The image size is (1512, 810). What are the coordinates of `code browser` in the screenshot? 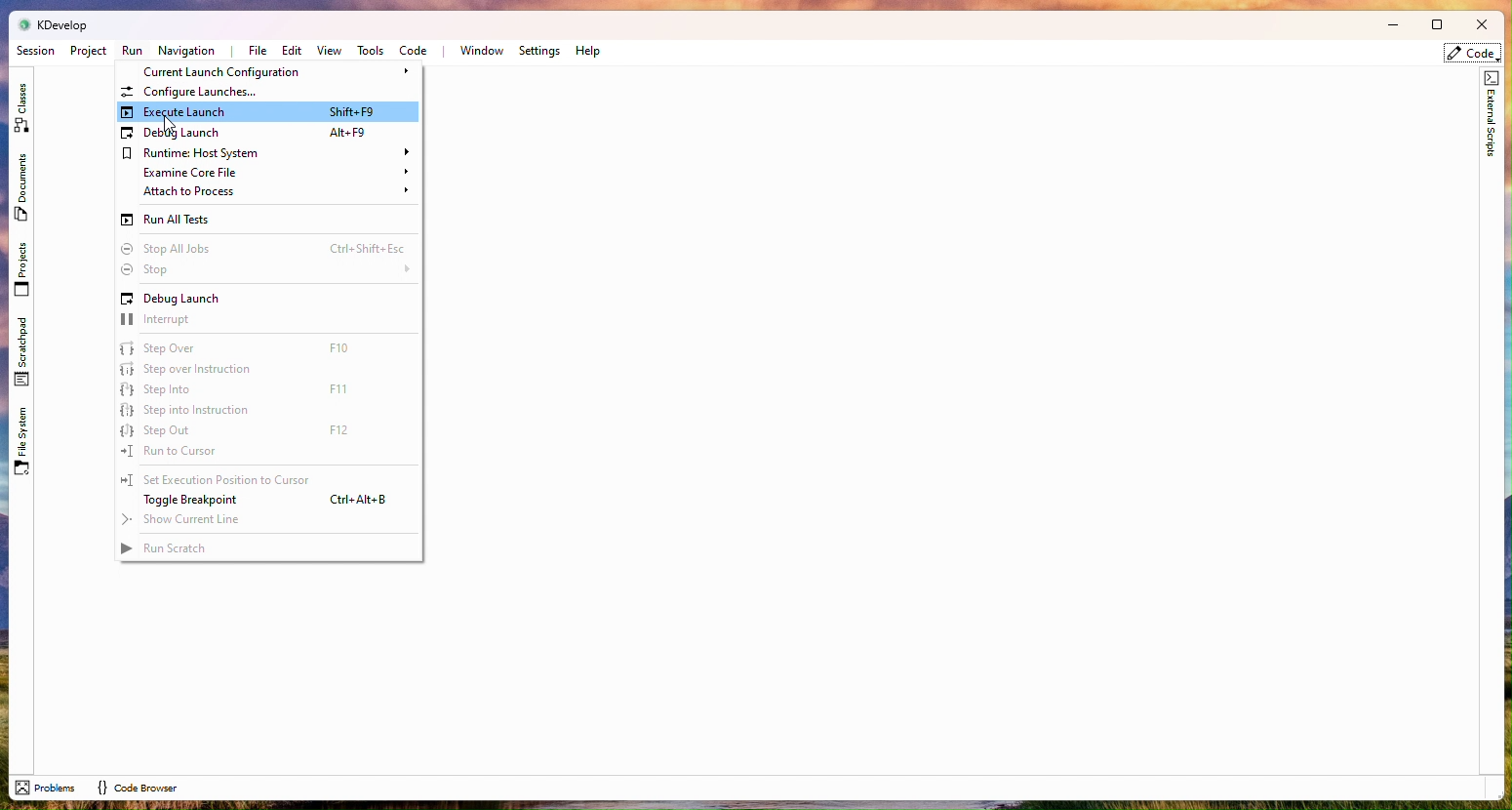 It's located at (138, 788).